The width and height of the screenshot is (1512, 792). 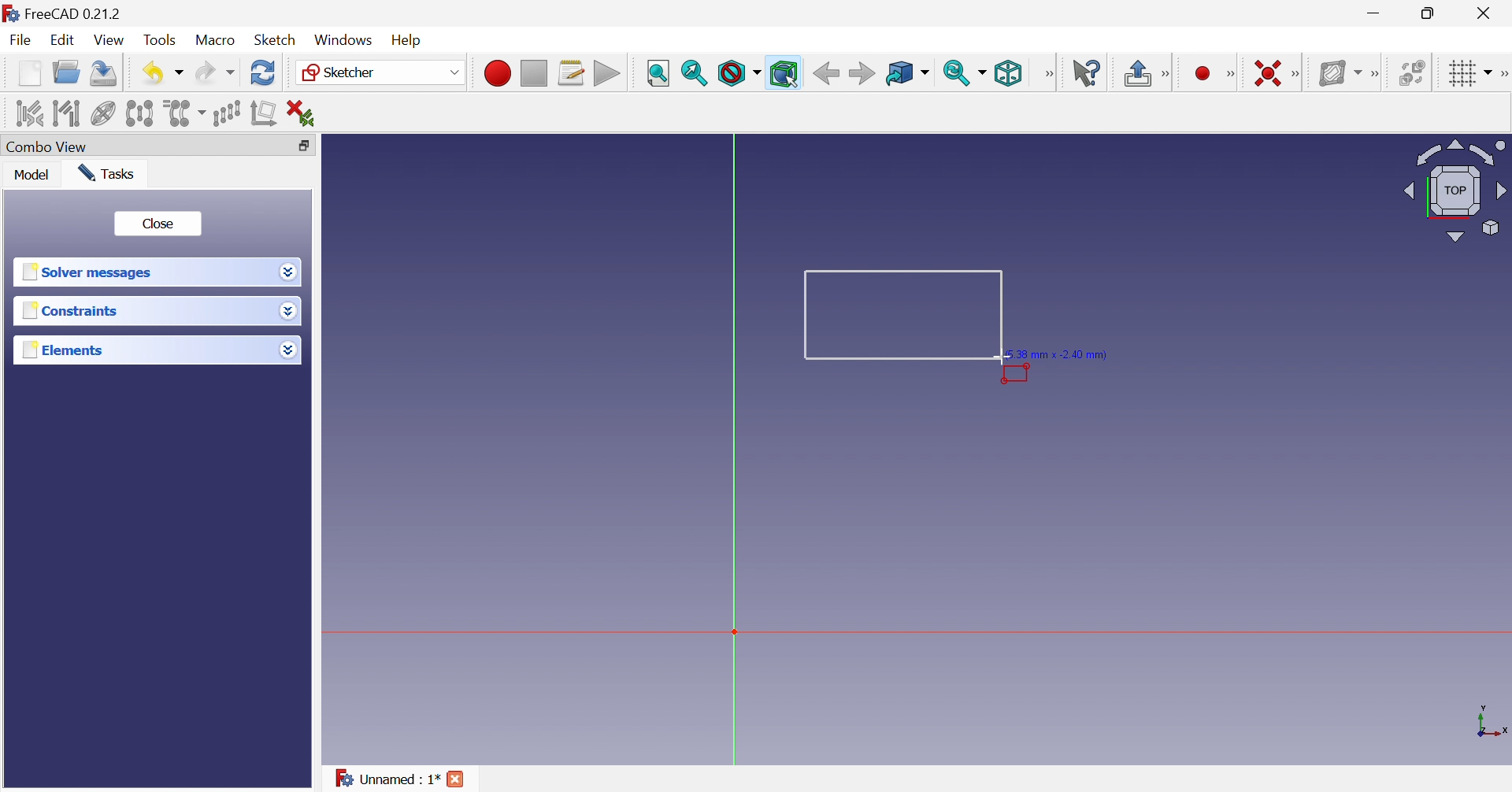 I want to click on Save, so click(x=105, y=74).